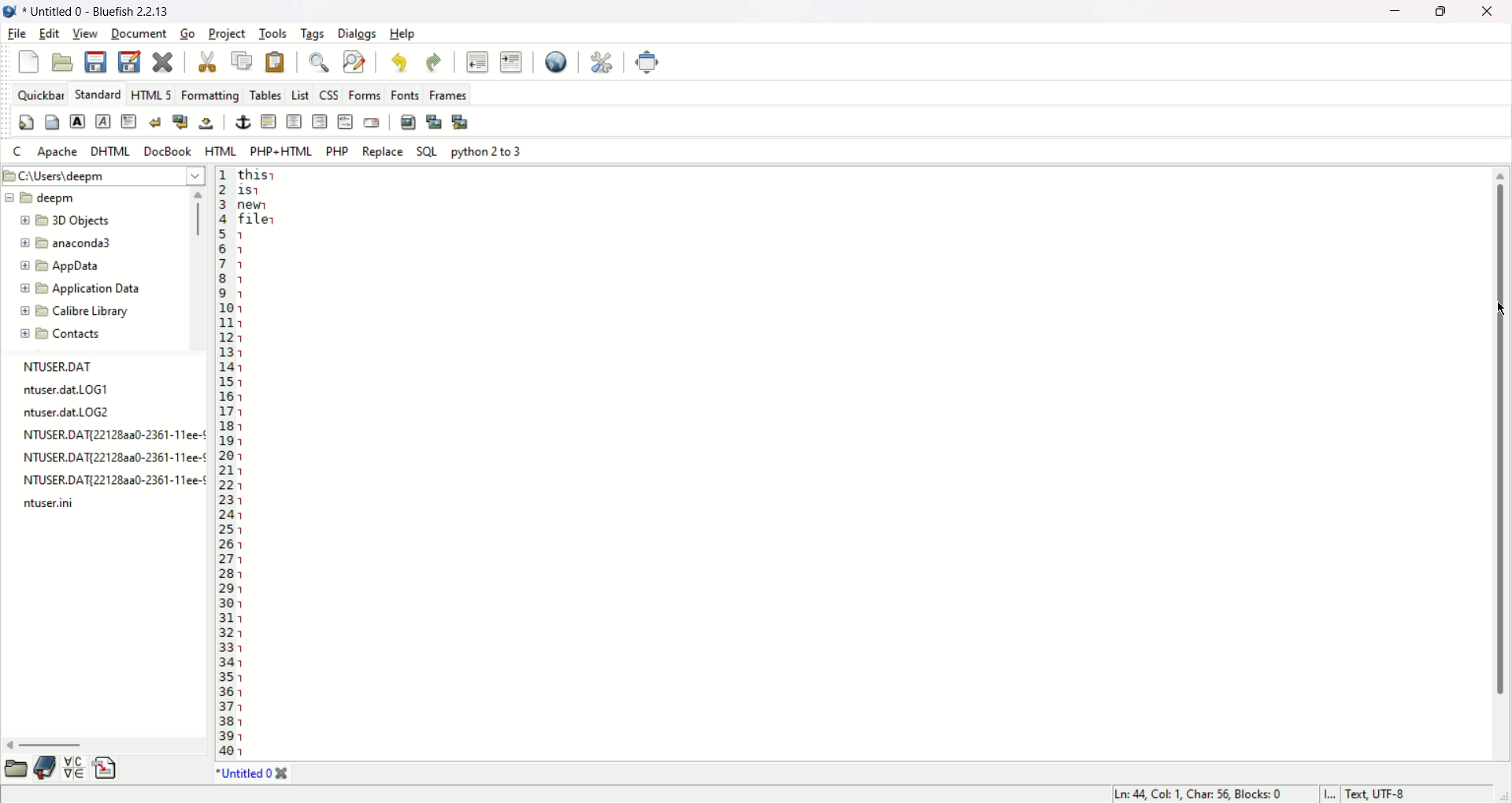  I want to click on indent, so click(511, 64).